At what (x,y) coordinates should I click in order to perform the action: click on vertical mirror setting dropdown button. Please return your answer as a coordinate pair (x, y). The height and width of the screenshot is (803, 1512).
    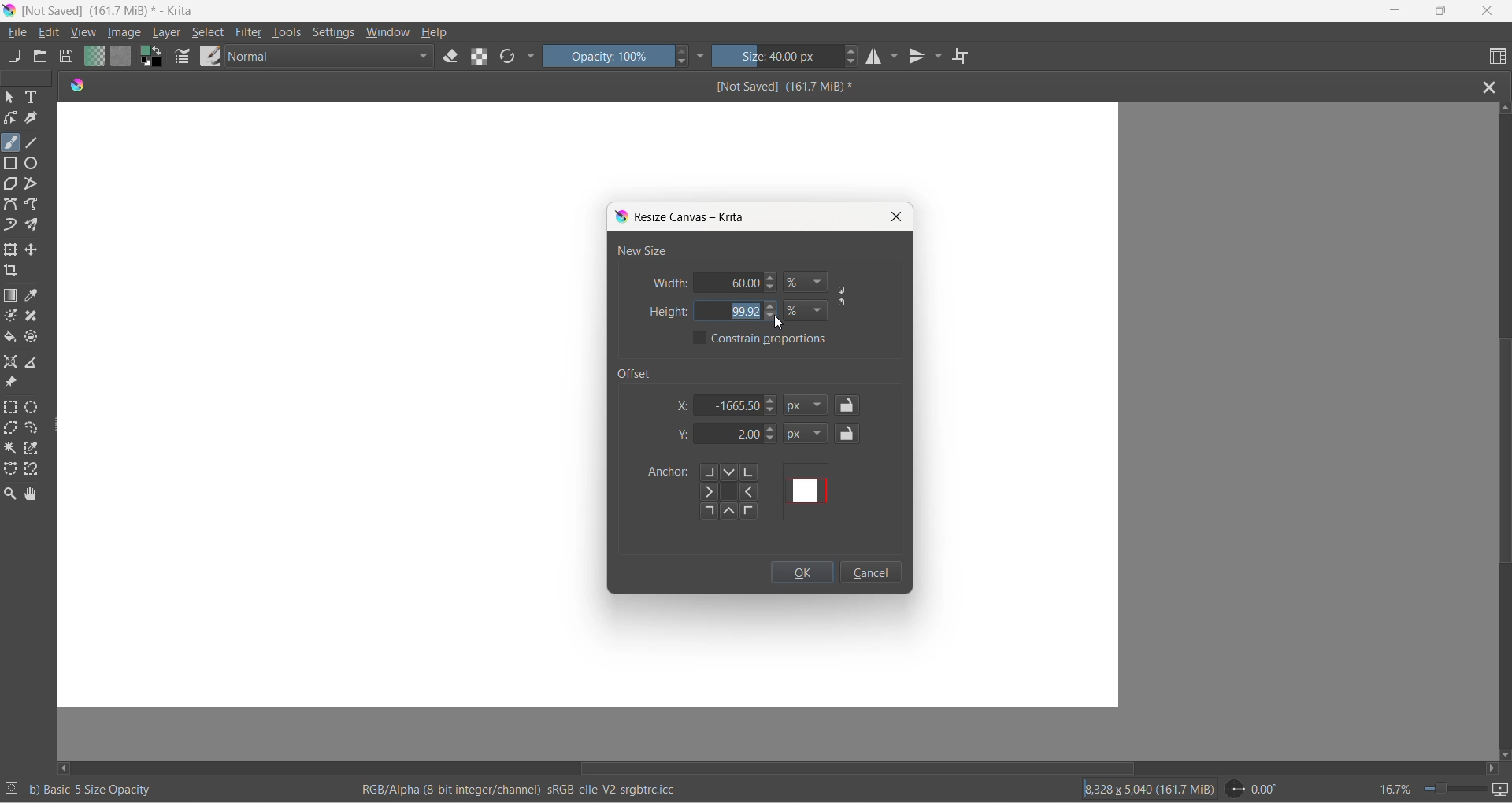
    Looking at the image, I should click on (939, 58).